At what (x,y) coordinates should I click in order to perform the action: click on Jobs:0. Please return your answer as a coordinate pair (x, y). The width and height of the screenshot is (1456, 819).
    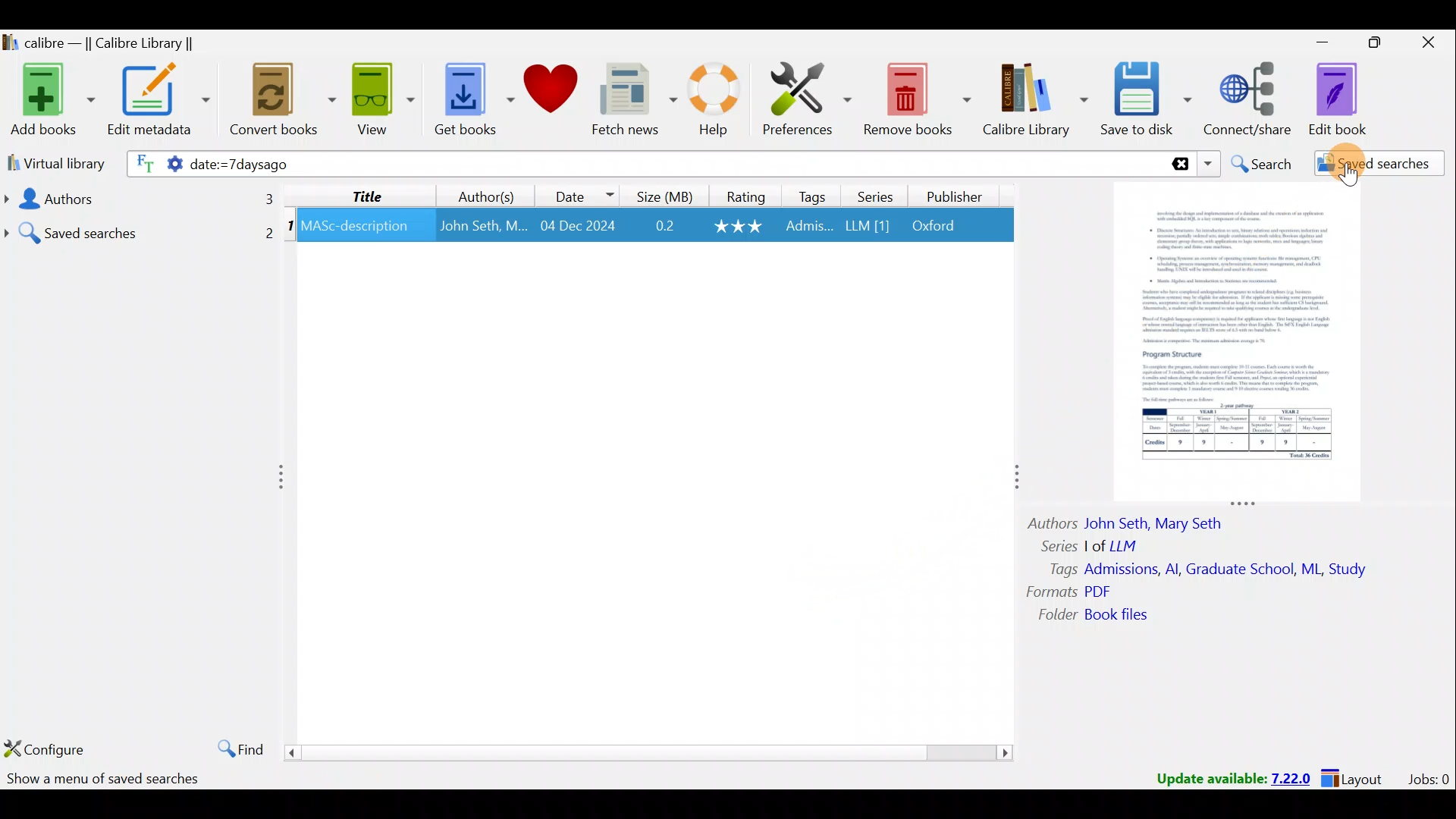
    Looking at the image, I should click on (1428, 778).